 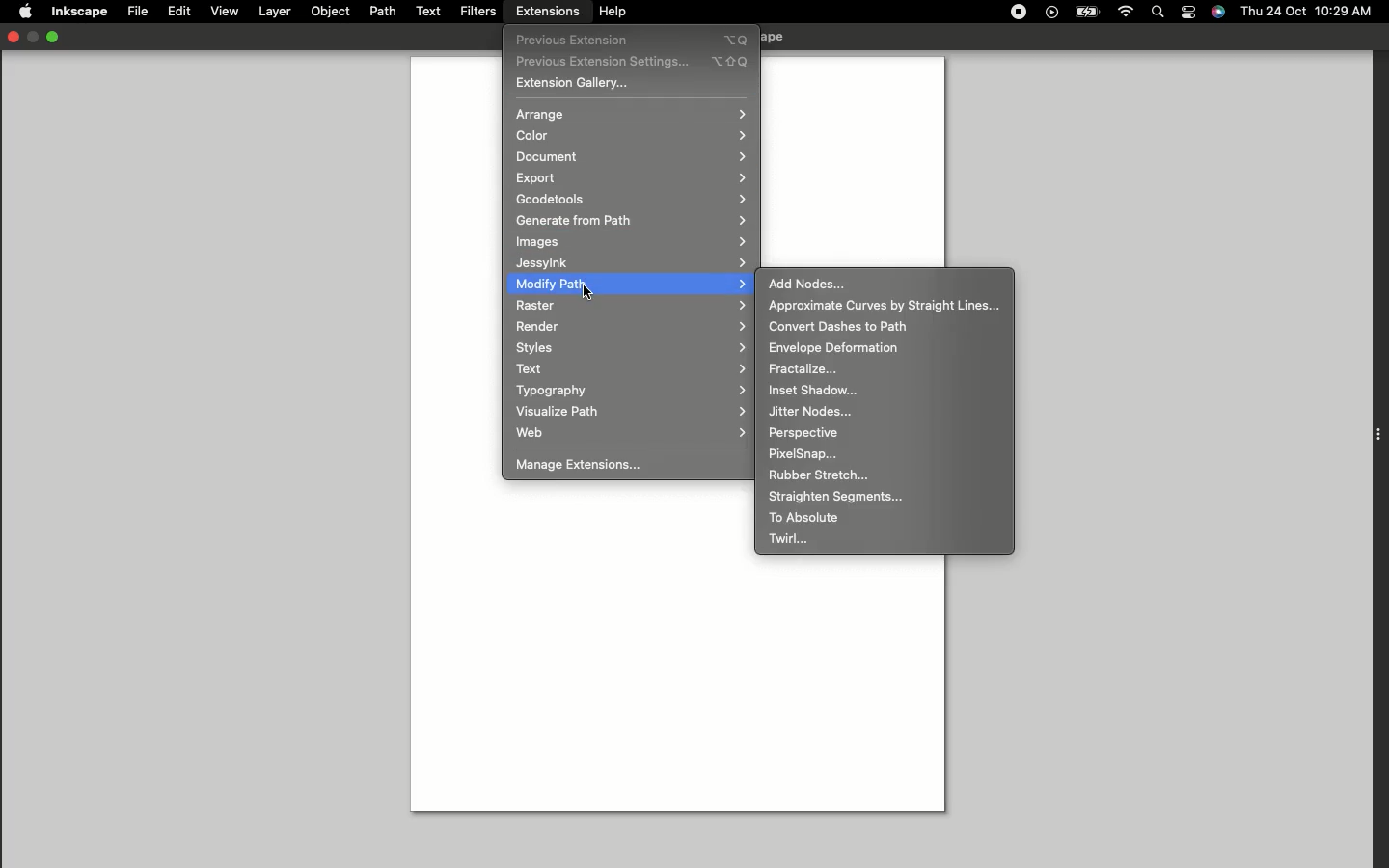 I want to click on Search, so click(x=1154, y=14).